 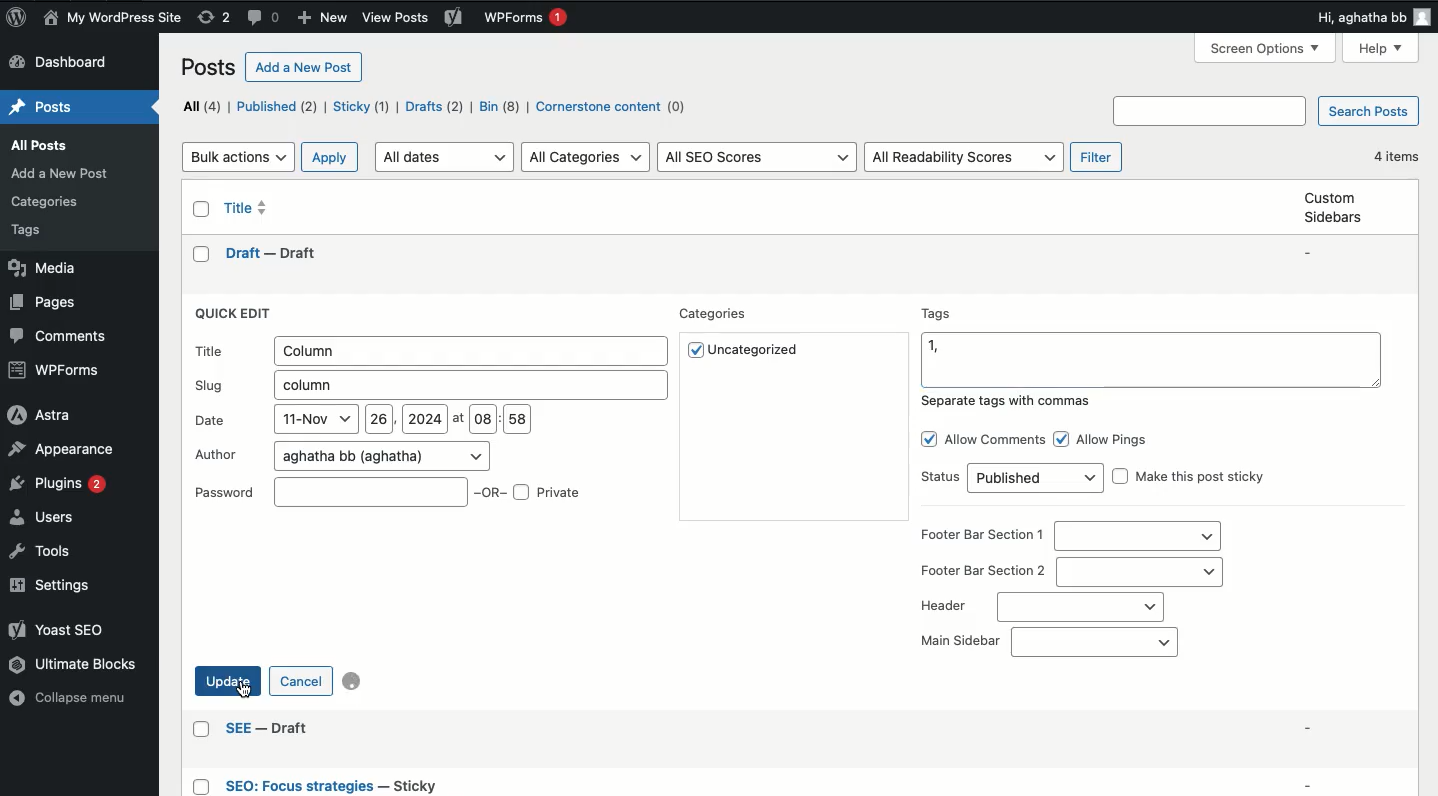 What do you see at coordinates (458, 418) in the screenshot?
I see `at` at bounding box center [458, 418].